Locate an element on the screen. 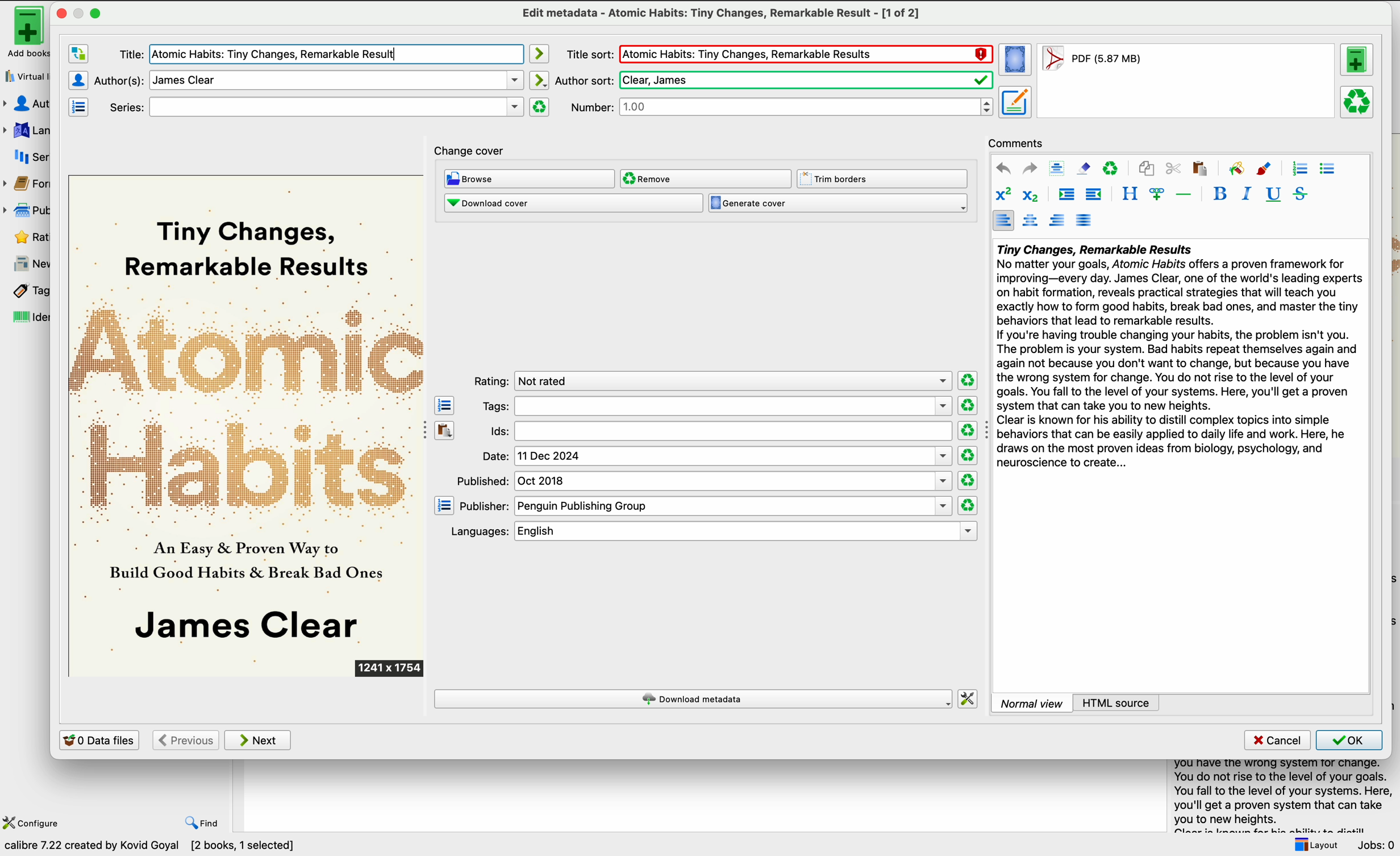 Image resolution: width=1400 pixels, height=856 pixels. next button is located at coordinates (259, 741).